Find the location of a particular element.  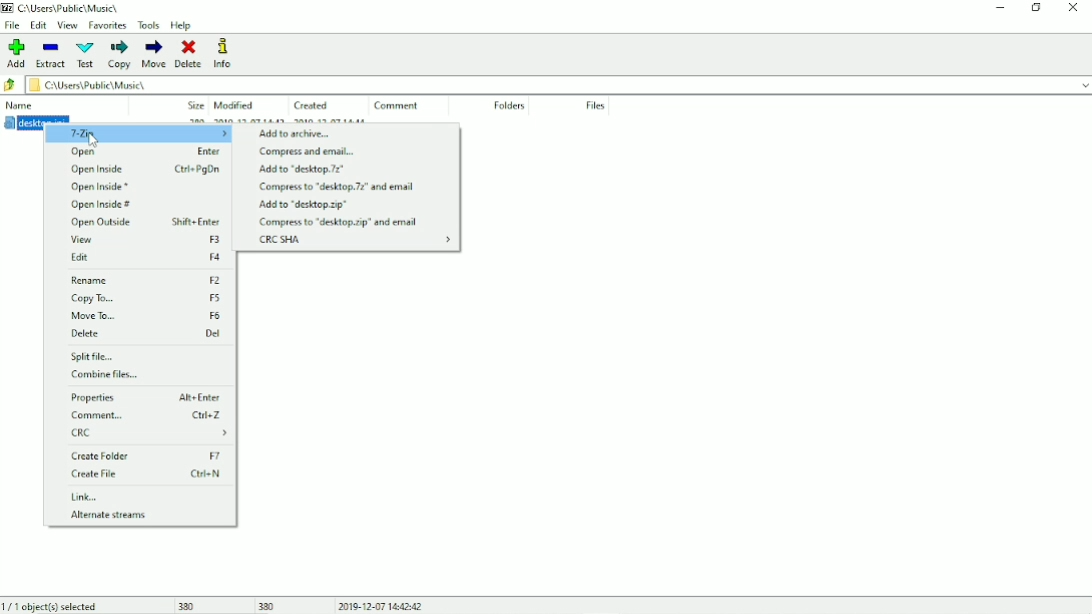

Move To is located at coordinates (146, 316).